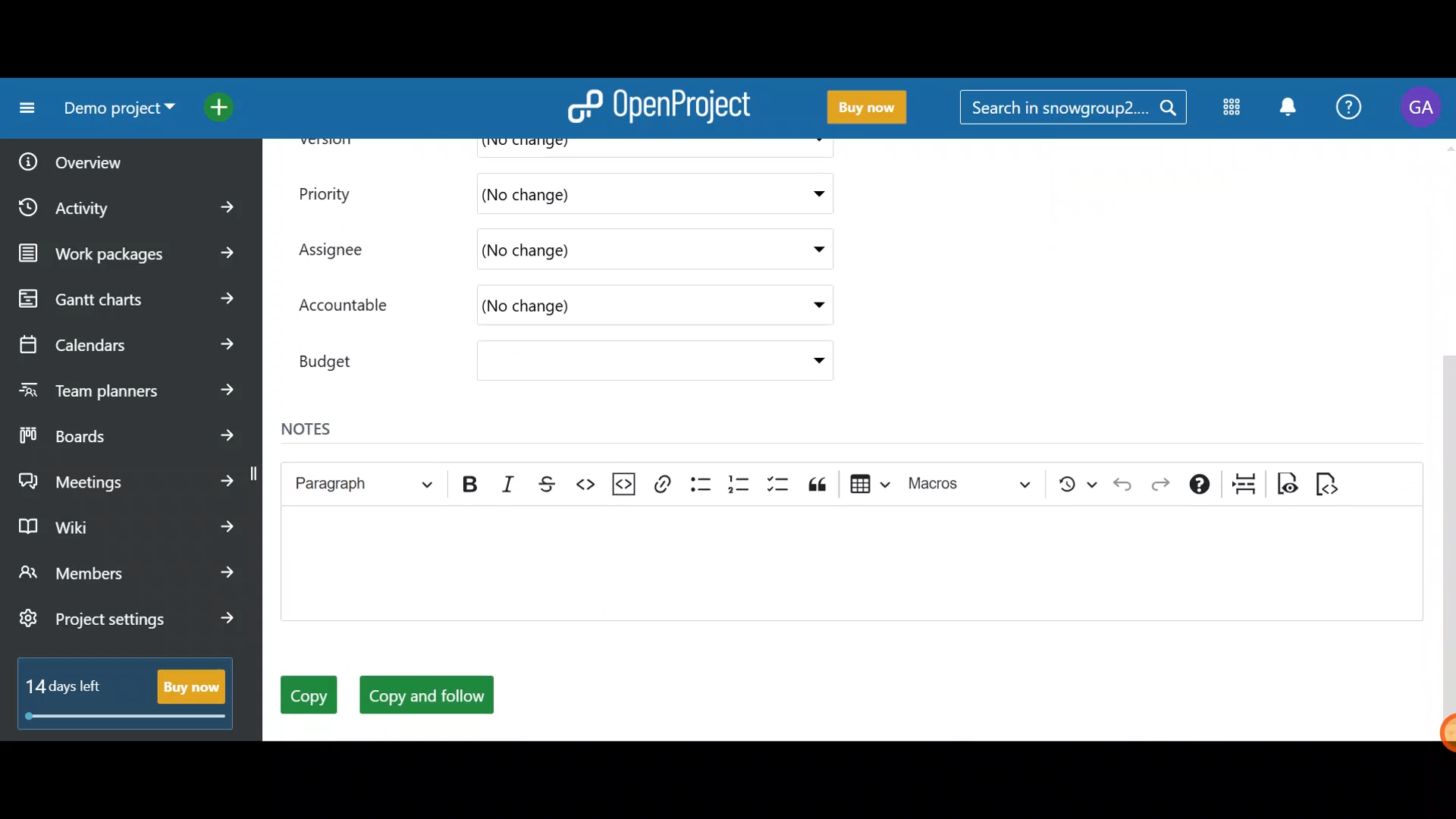 Image resolution: width=1456 pixels, height=819 pixels. Describe the element at coordinates (620, 190) in the screenshot. I see `(No change)` at that location.